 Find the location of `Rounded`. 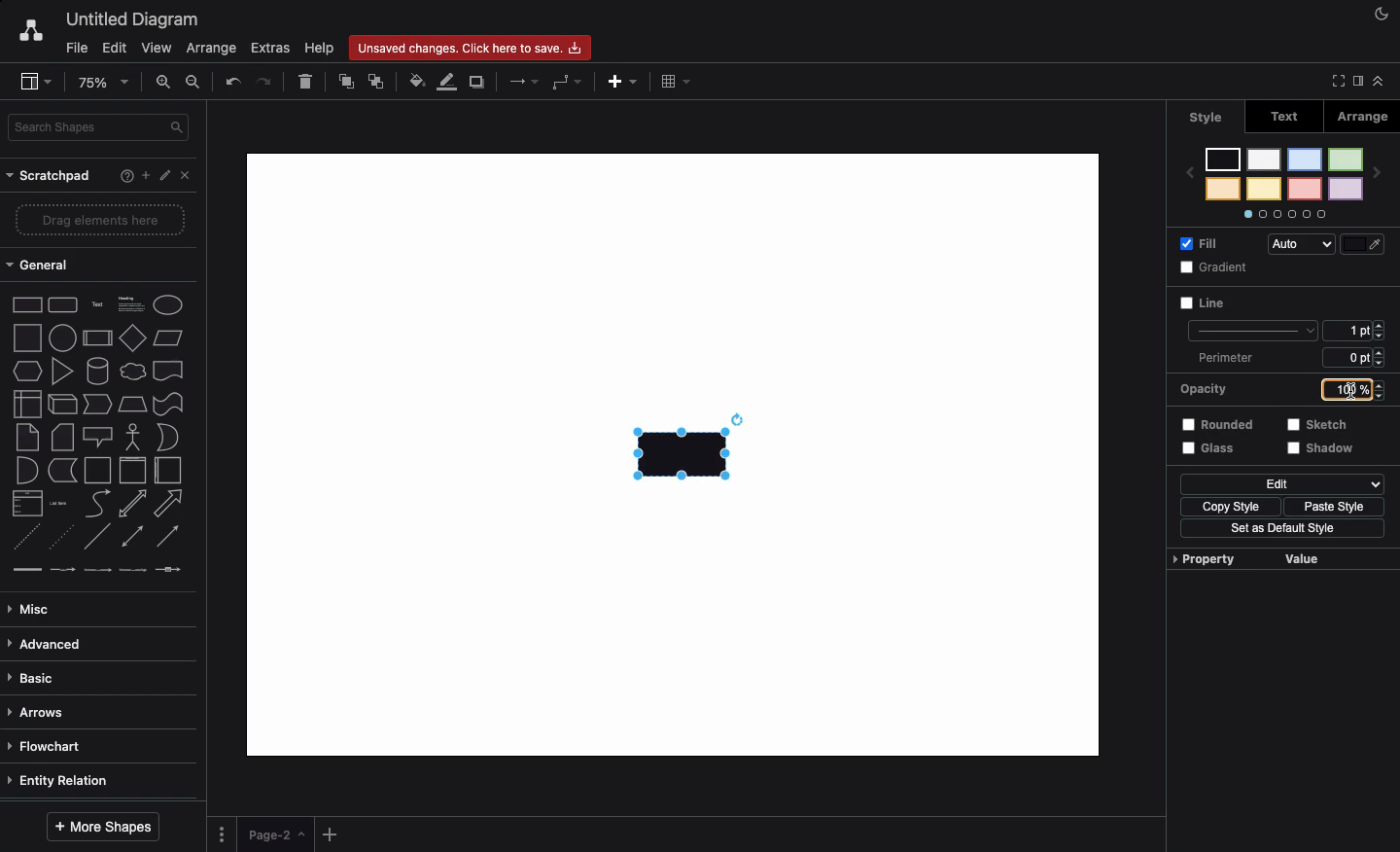

Rounded is located at coordinates (1220, 424).